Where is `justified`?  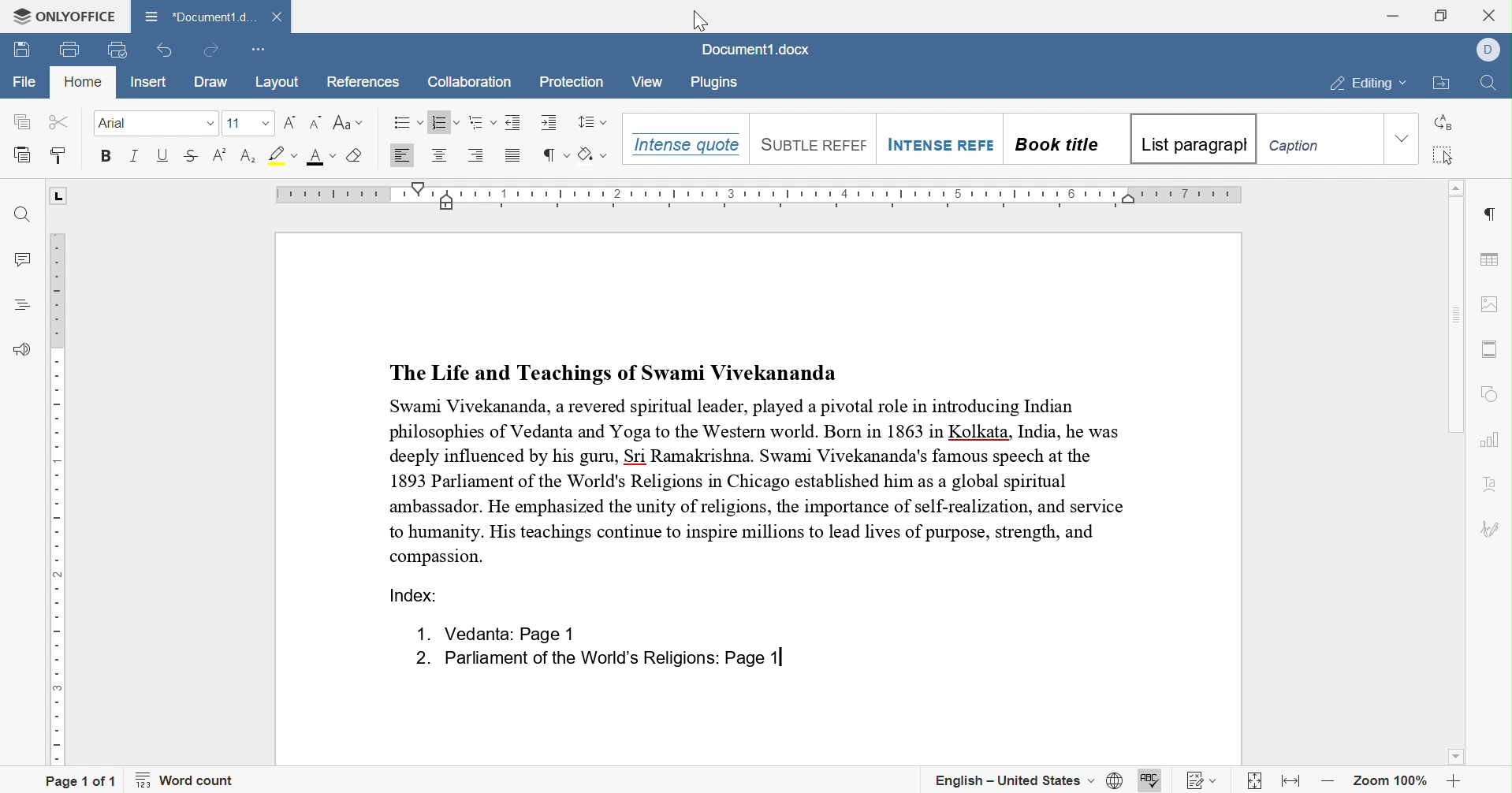
justified is located at coordinates (513, 158).